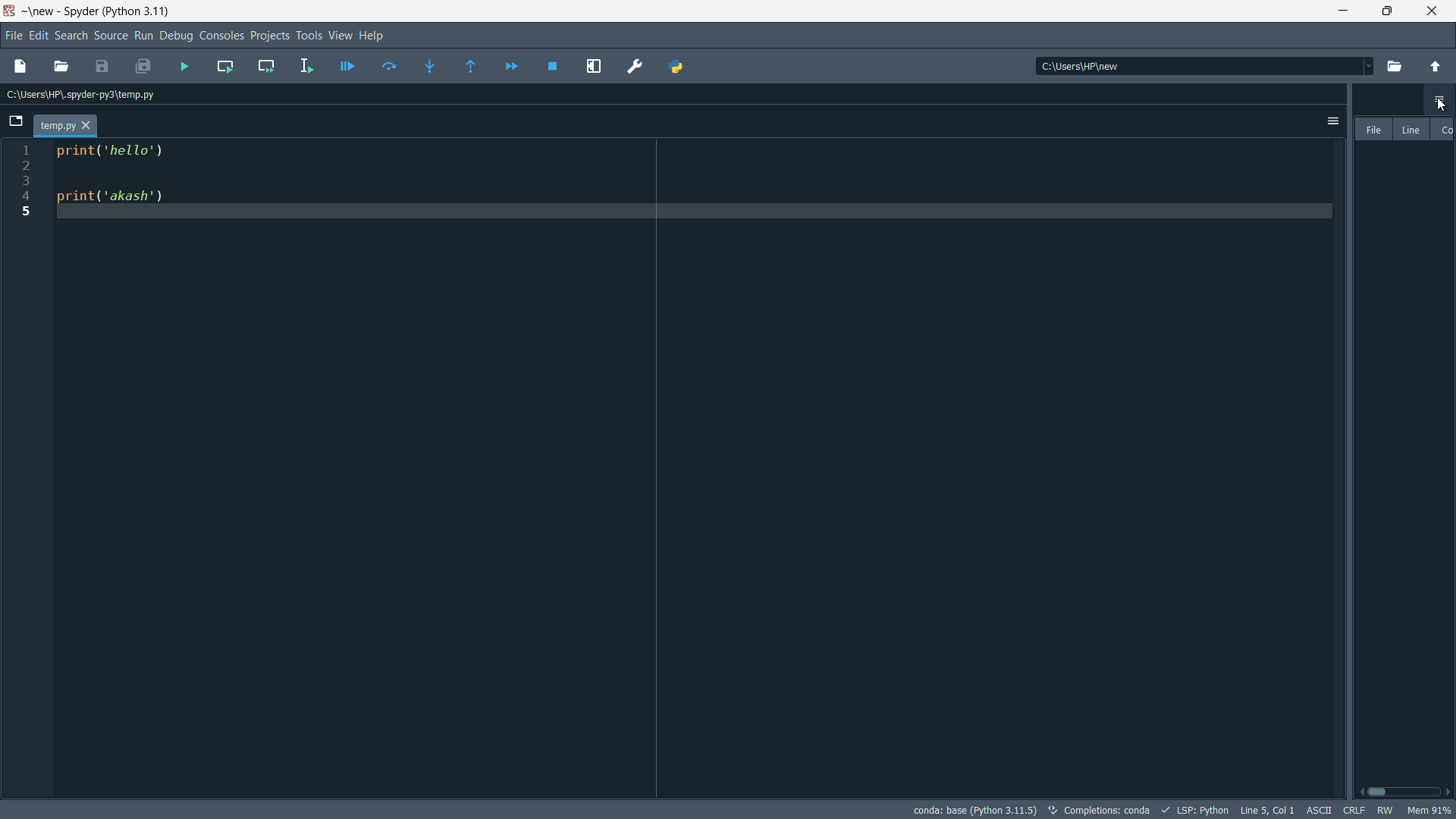  Describe the element at coordinates (136, 11) in the screenshot. I see `python 3.11` at that location.